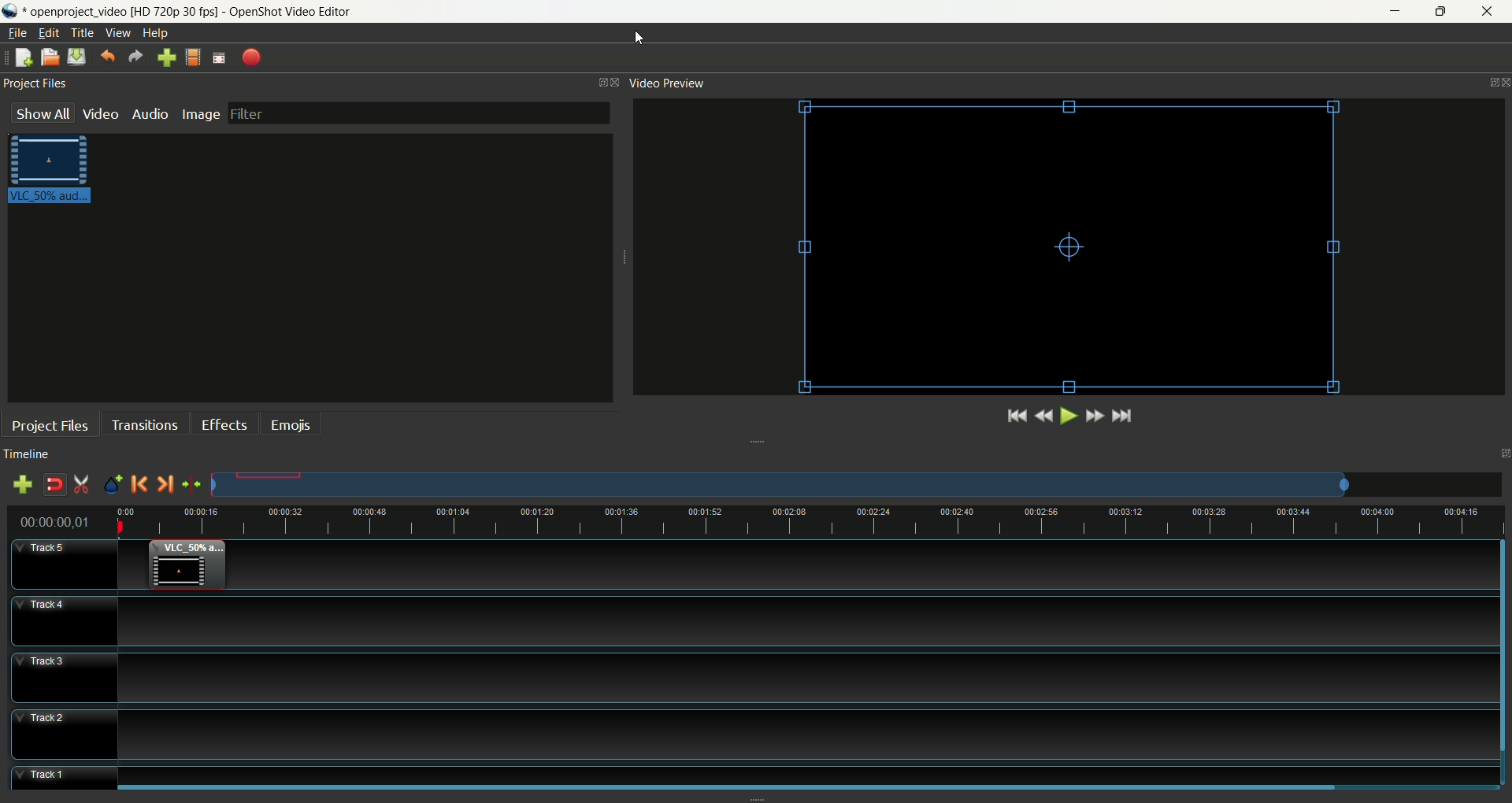  Describe the element at coordinates (80, 484) in the screenshot. I see `enable razor` at that location.